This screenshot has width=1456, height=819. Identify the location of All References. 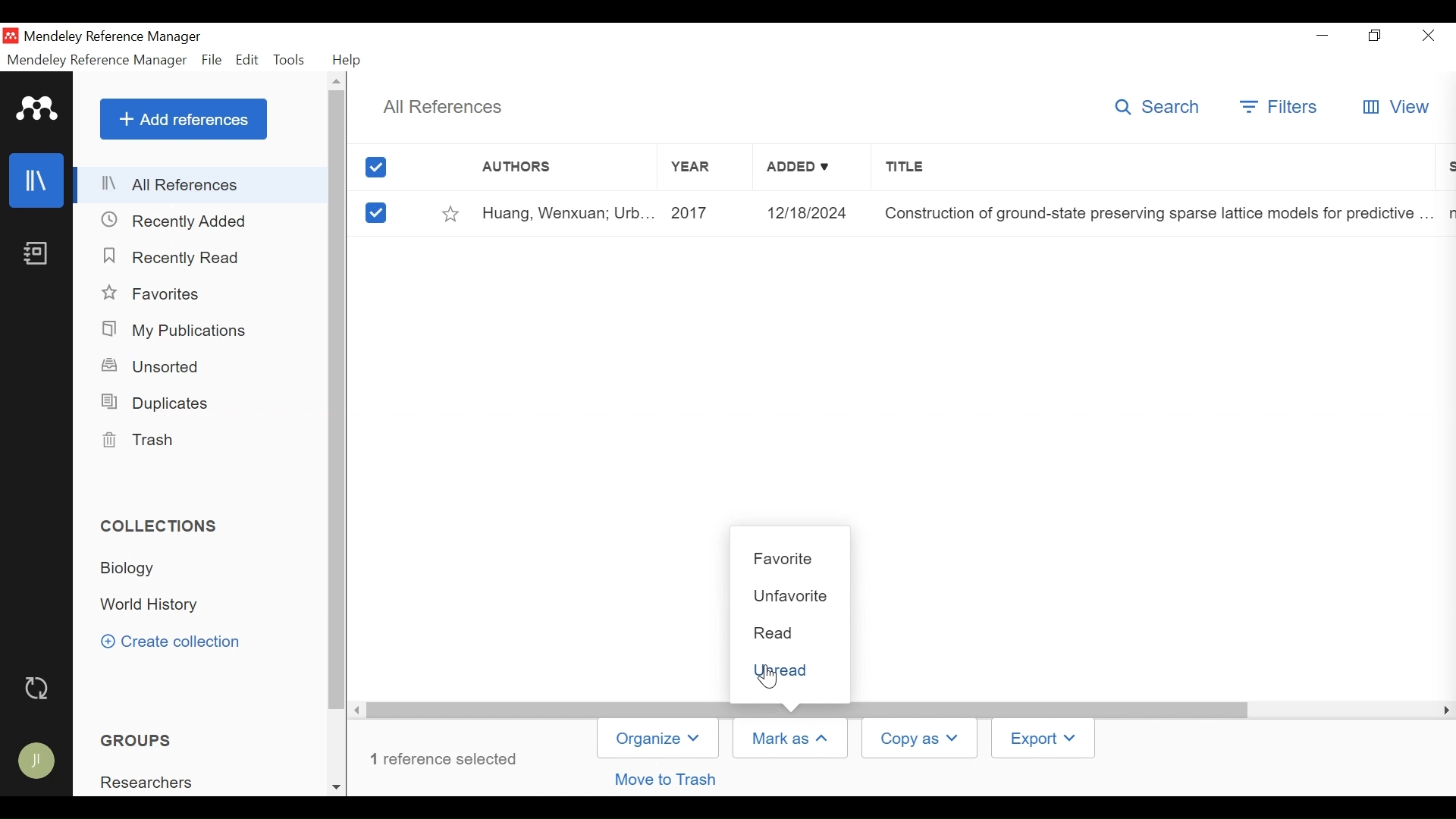
(201, 186).